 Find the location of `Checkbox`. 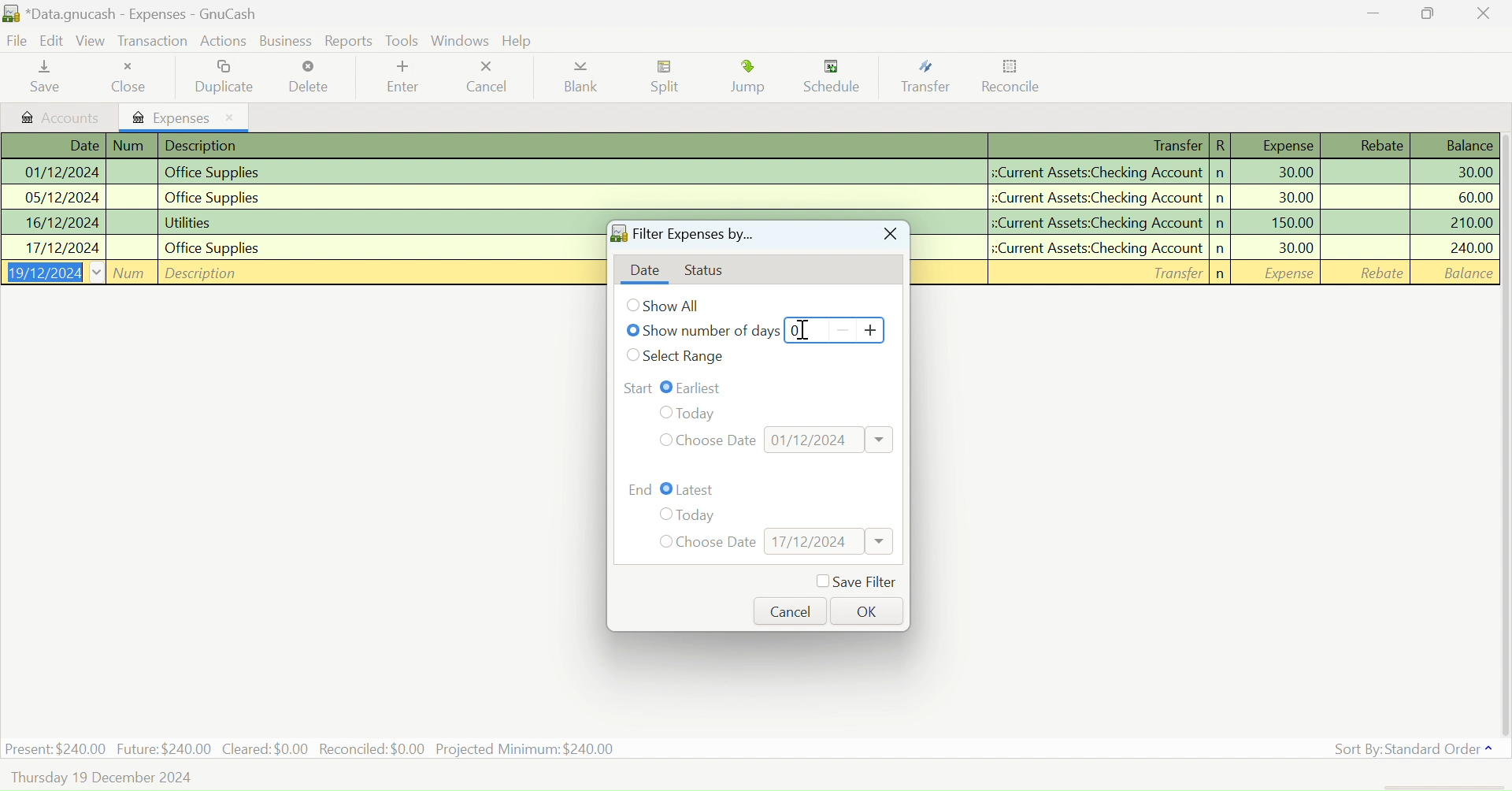

Checkbox is located at coordinates (663, 440).